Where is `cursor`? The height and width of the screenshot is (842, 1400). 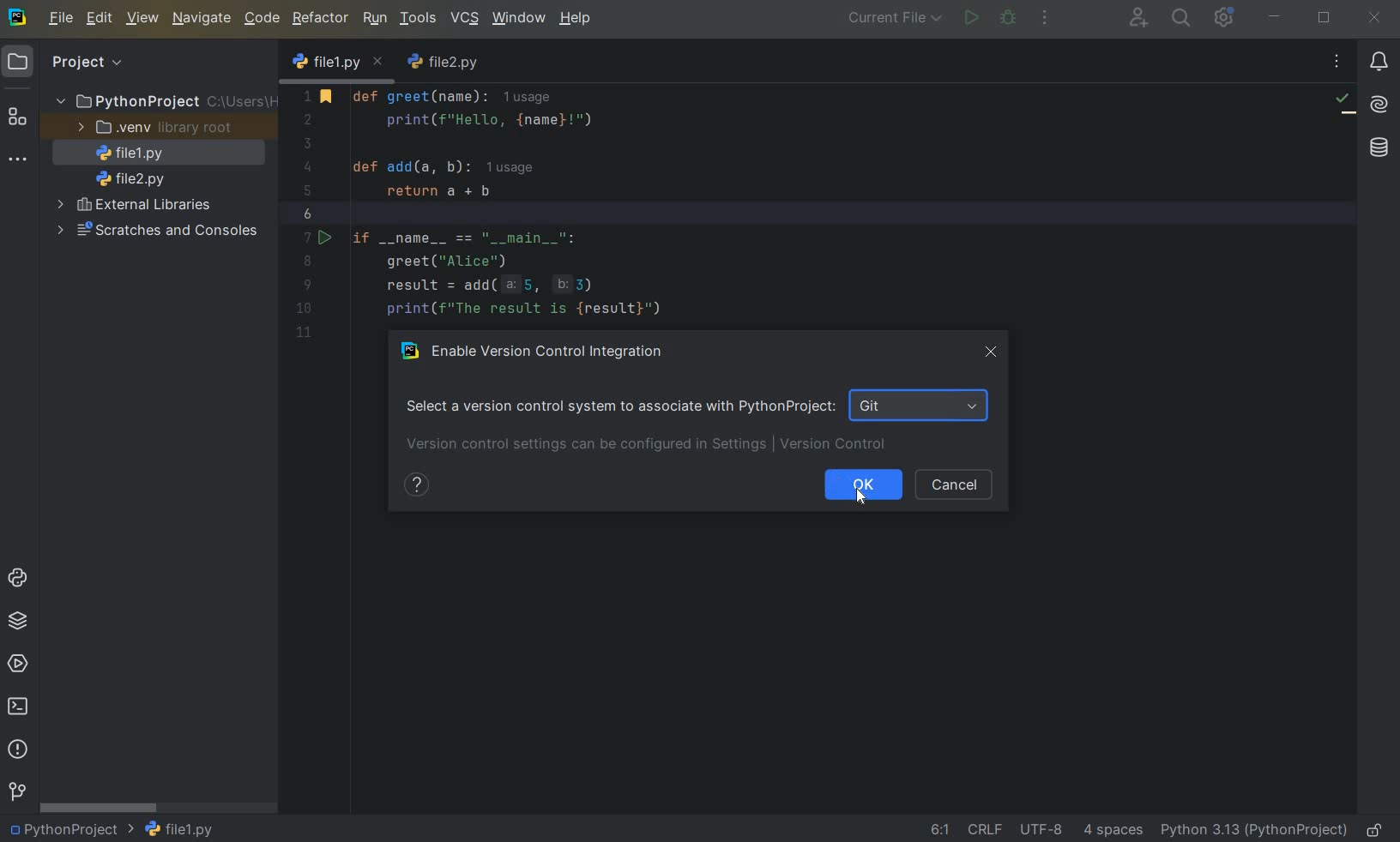 cursor is located at coordinates (859, 496).